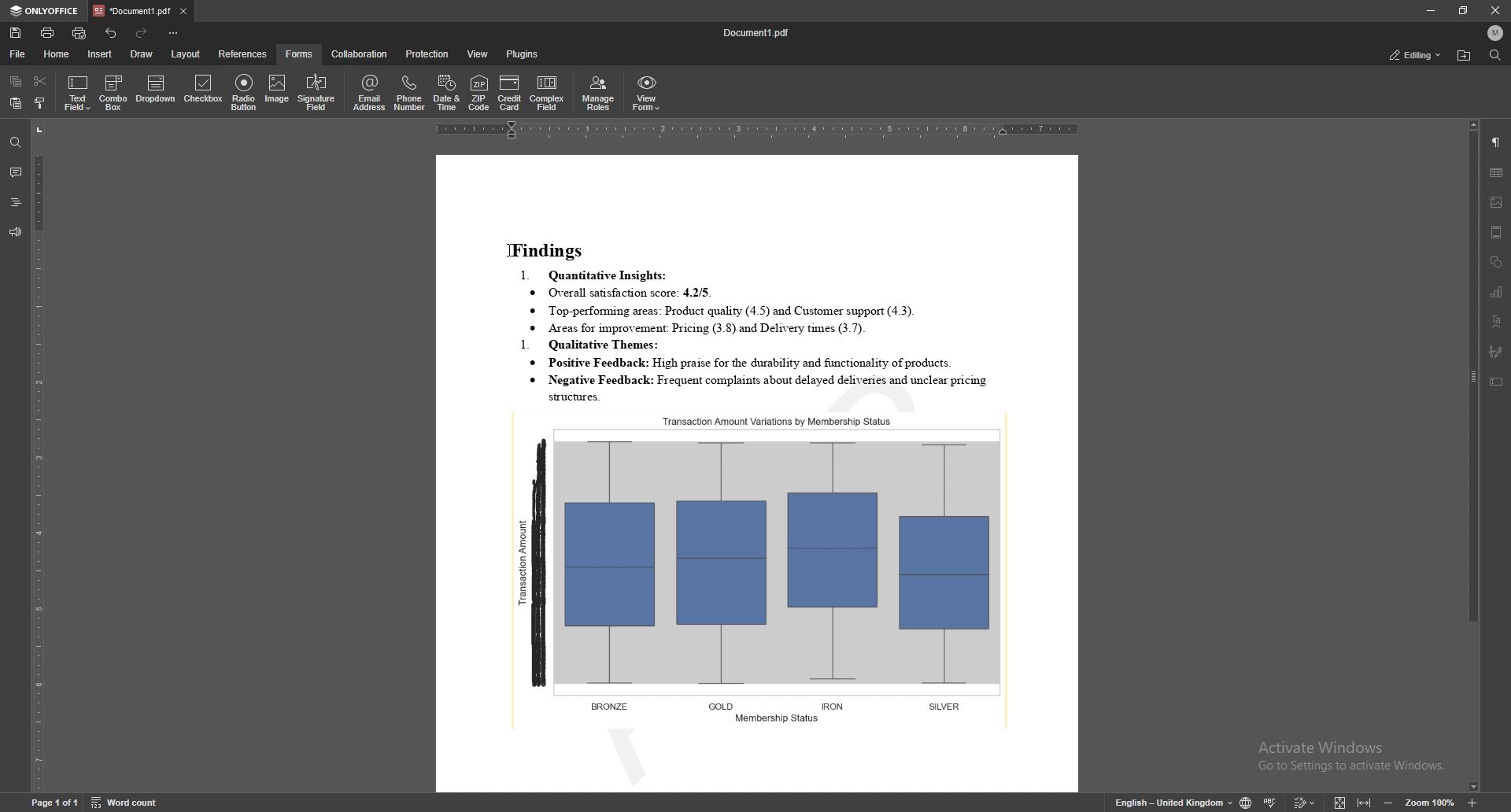  I want to click on paste, so click(16, 103).